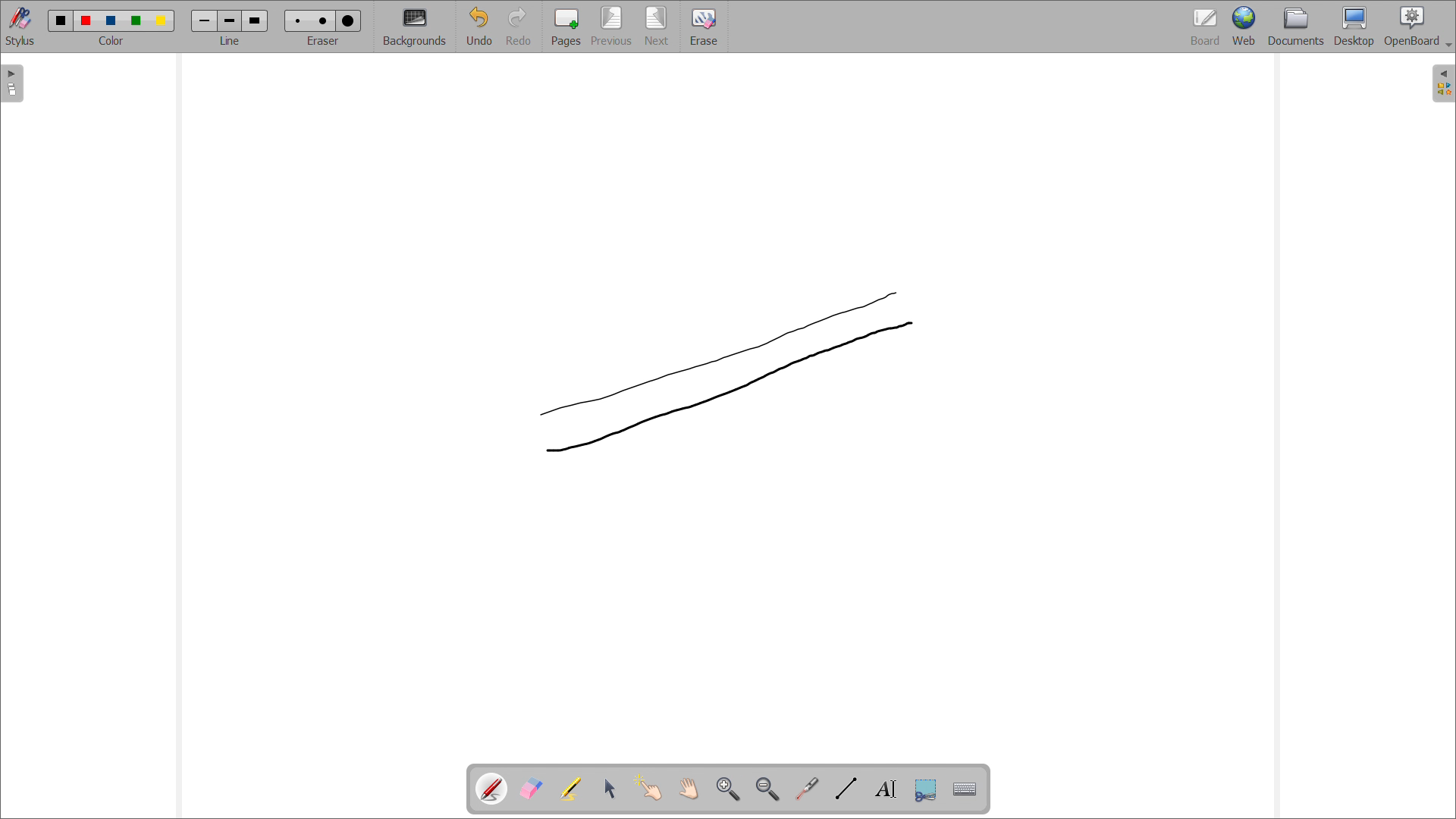 This screenshot has height=819, width=1456. I want to click on documents, so click(1296, 27).